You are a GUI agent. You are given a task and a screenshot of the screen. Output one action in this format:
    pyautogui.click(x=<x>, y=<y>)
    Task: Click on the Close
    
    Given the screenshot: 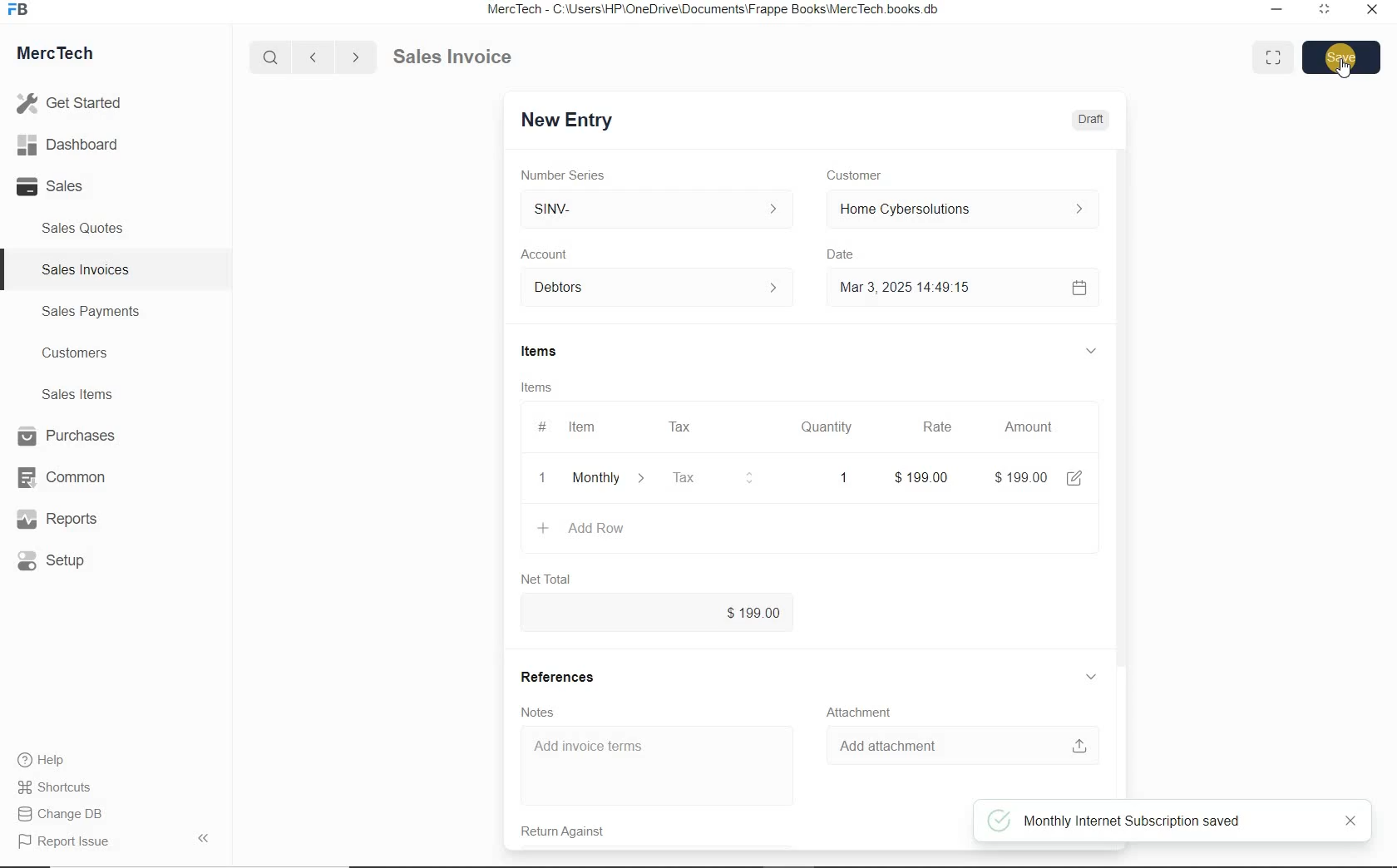 What is the action you would take?
    pyautogui.click(x=1370, y=12)
    